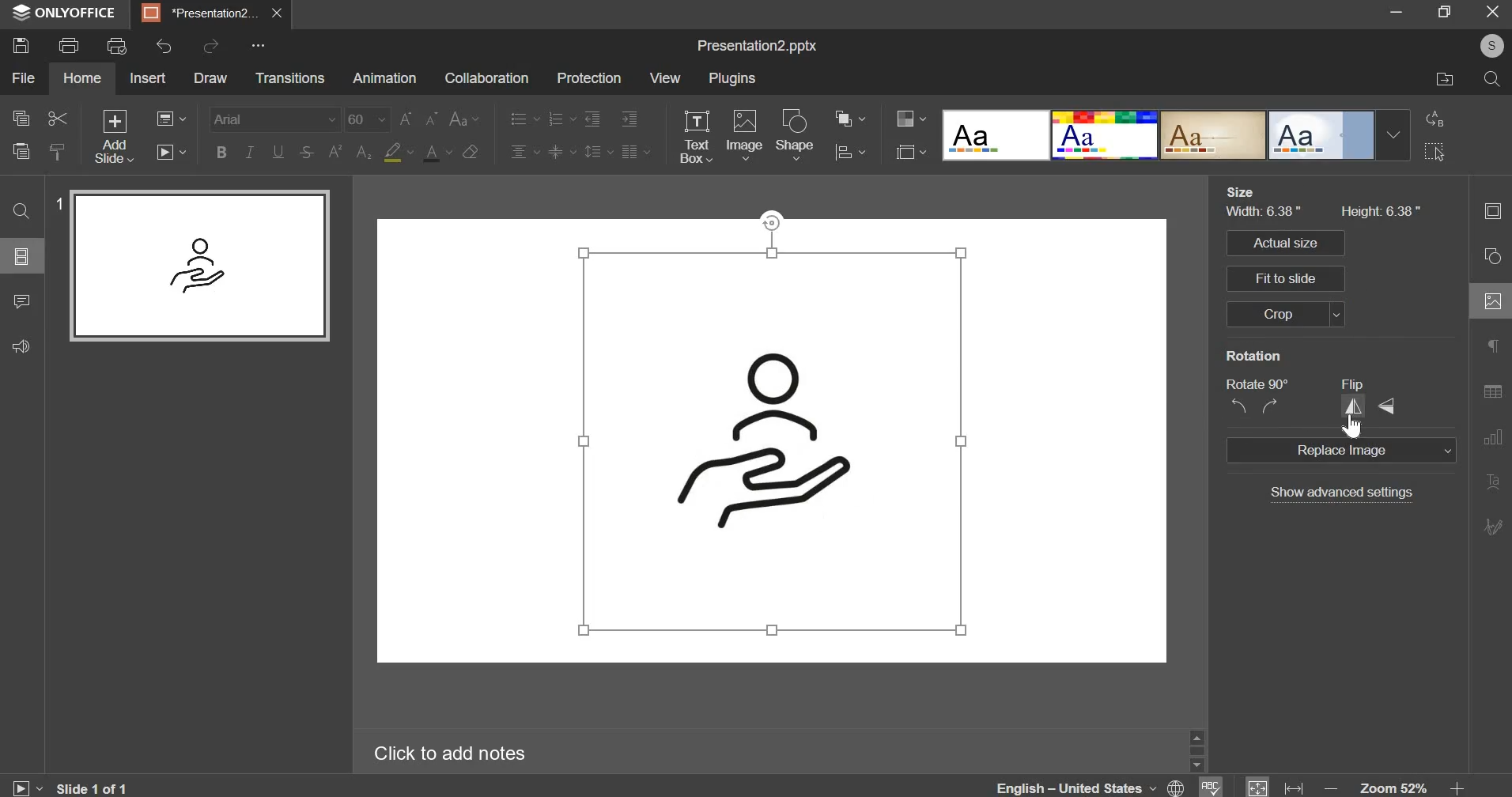 The image size is (1512, 797). Describe the element at coordinates (731, 78) in the screenshot. I see `plugins` at that location.